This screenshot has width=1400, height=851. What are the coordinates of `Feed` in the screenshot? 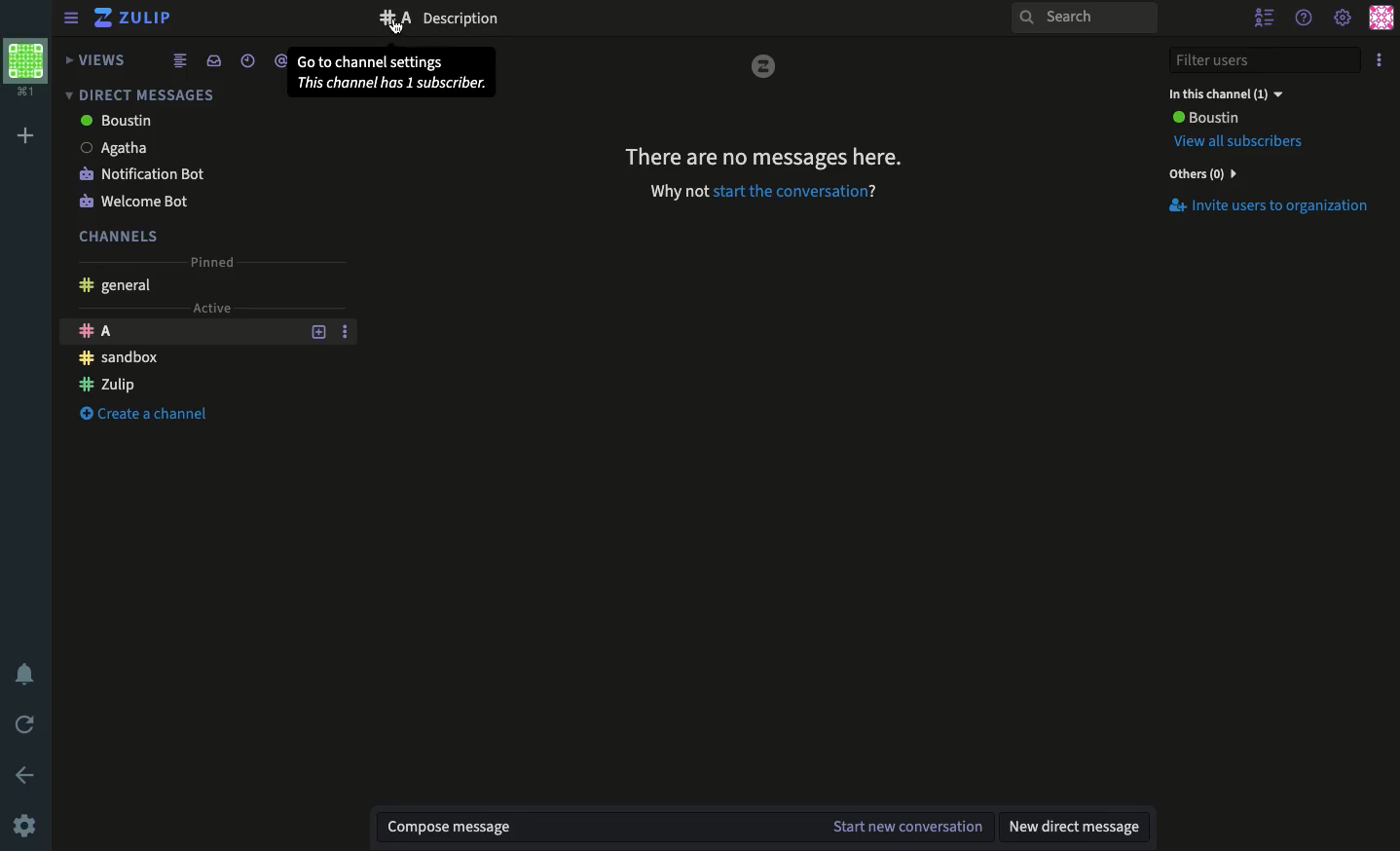 It's located at (176, 61).